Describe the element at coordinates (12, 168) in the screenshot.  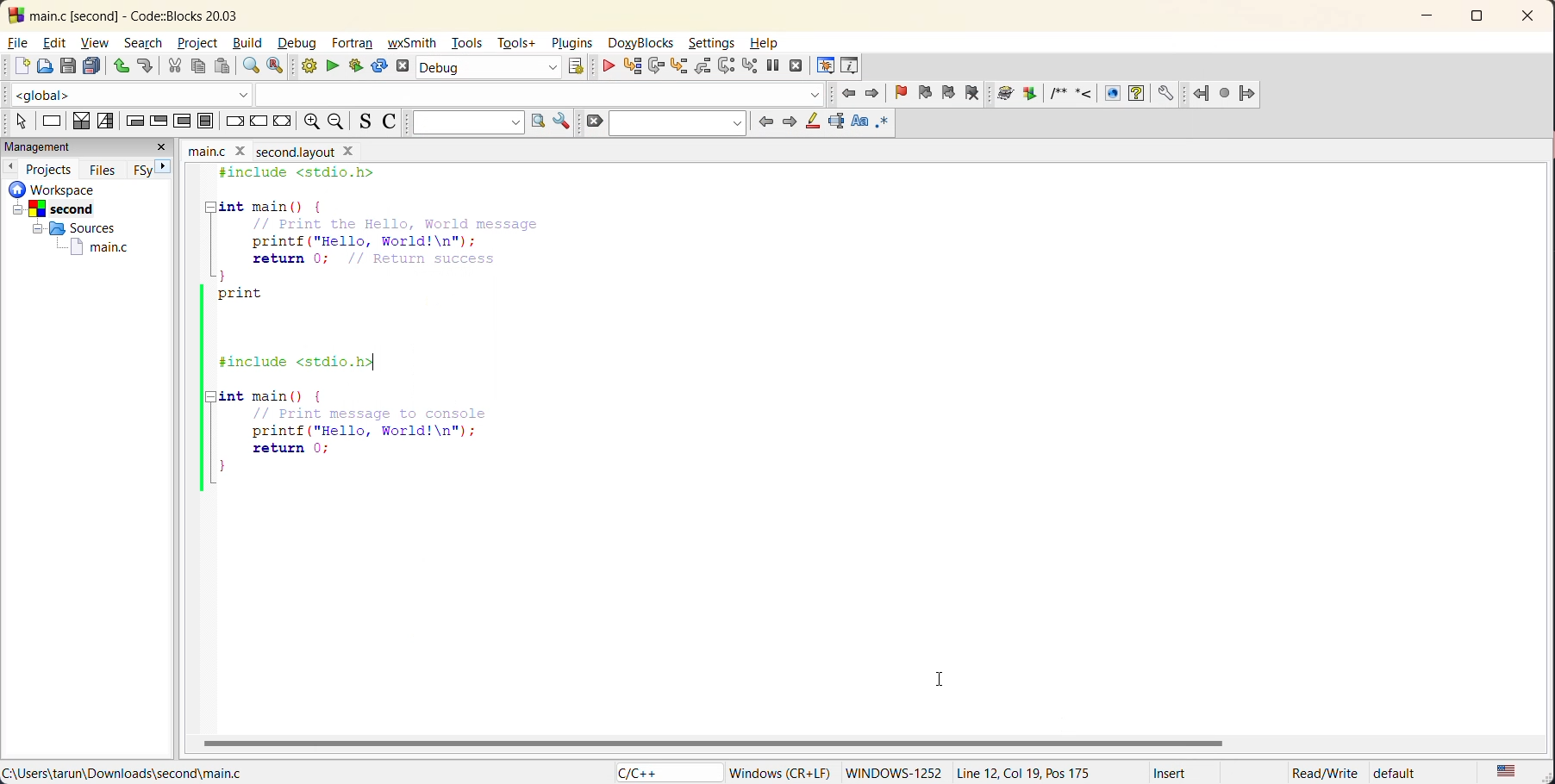
I see `previous` at that location.